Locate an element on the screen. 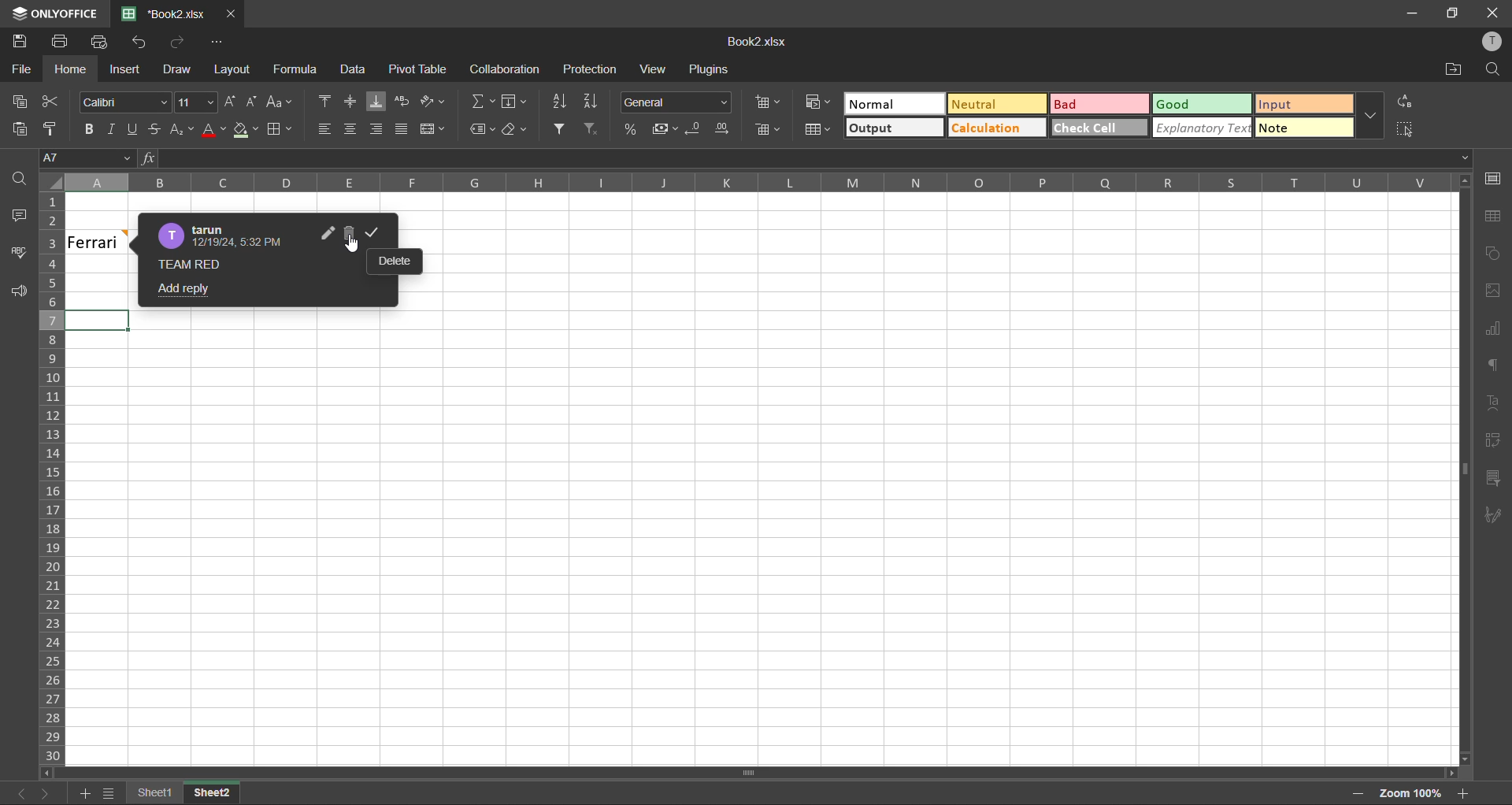  sort descending is located at coordinates (592, 101).